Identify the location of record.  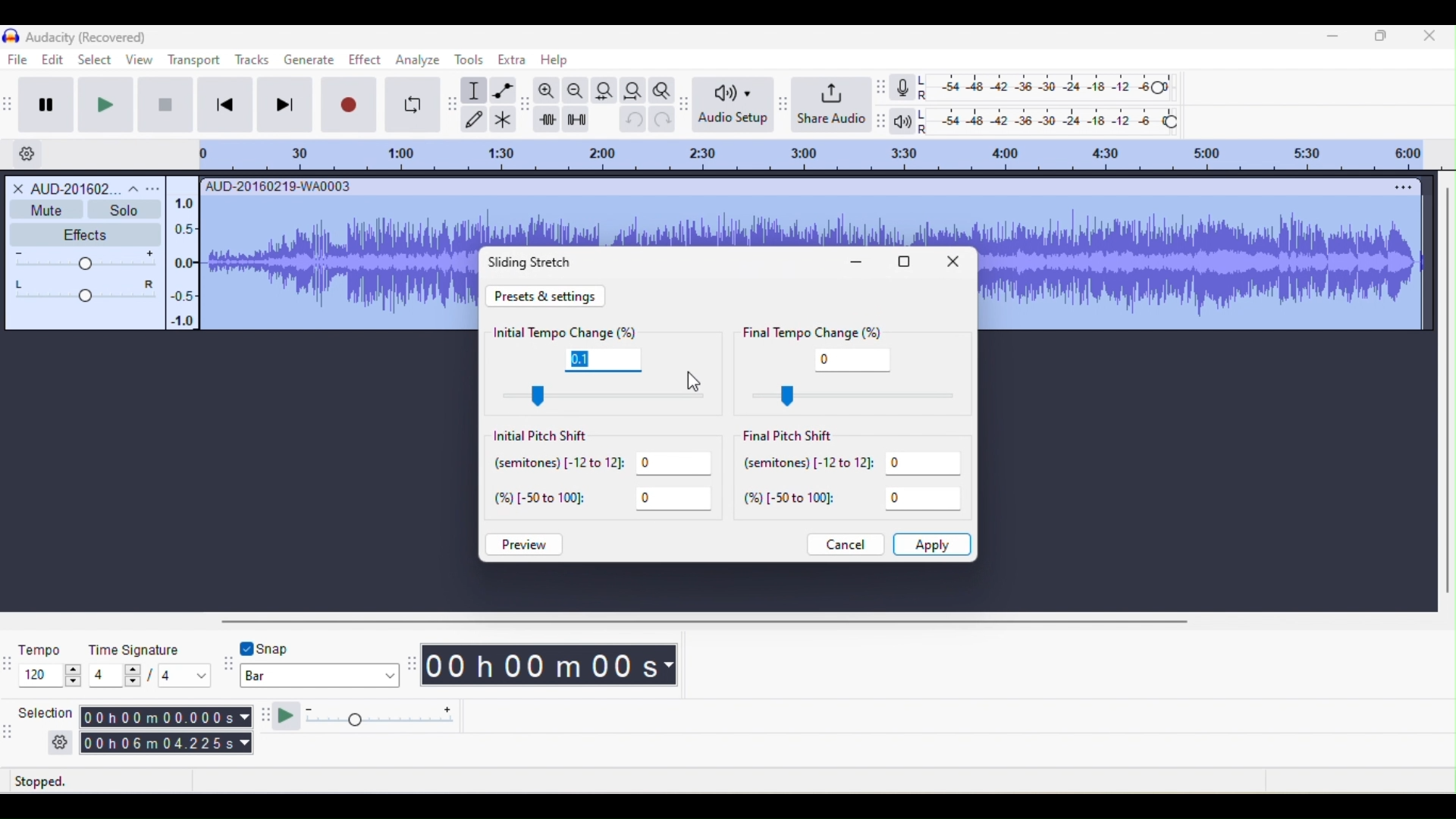
(350, 105).